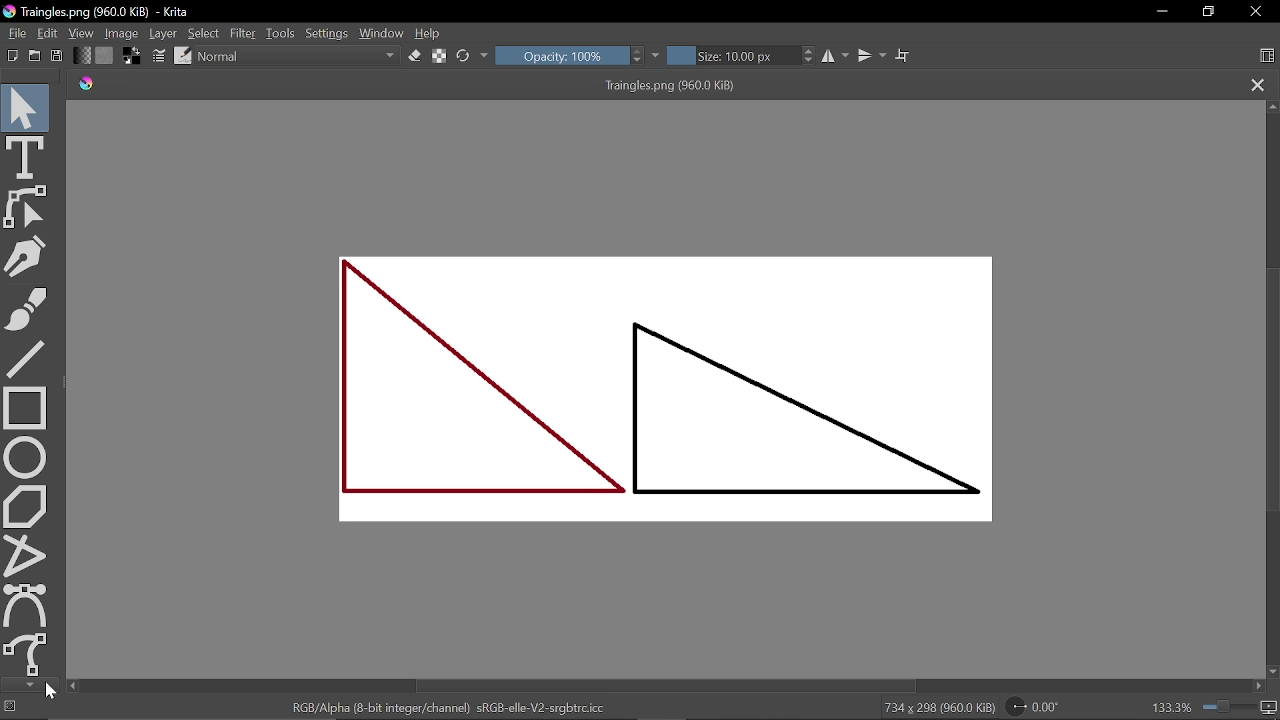 This screenshot has width=1280, height=720. Describe the element at coordinates (1266, 55) in the screenshot. I see `Choose workspace` at that location.